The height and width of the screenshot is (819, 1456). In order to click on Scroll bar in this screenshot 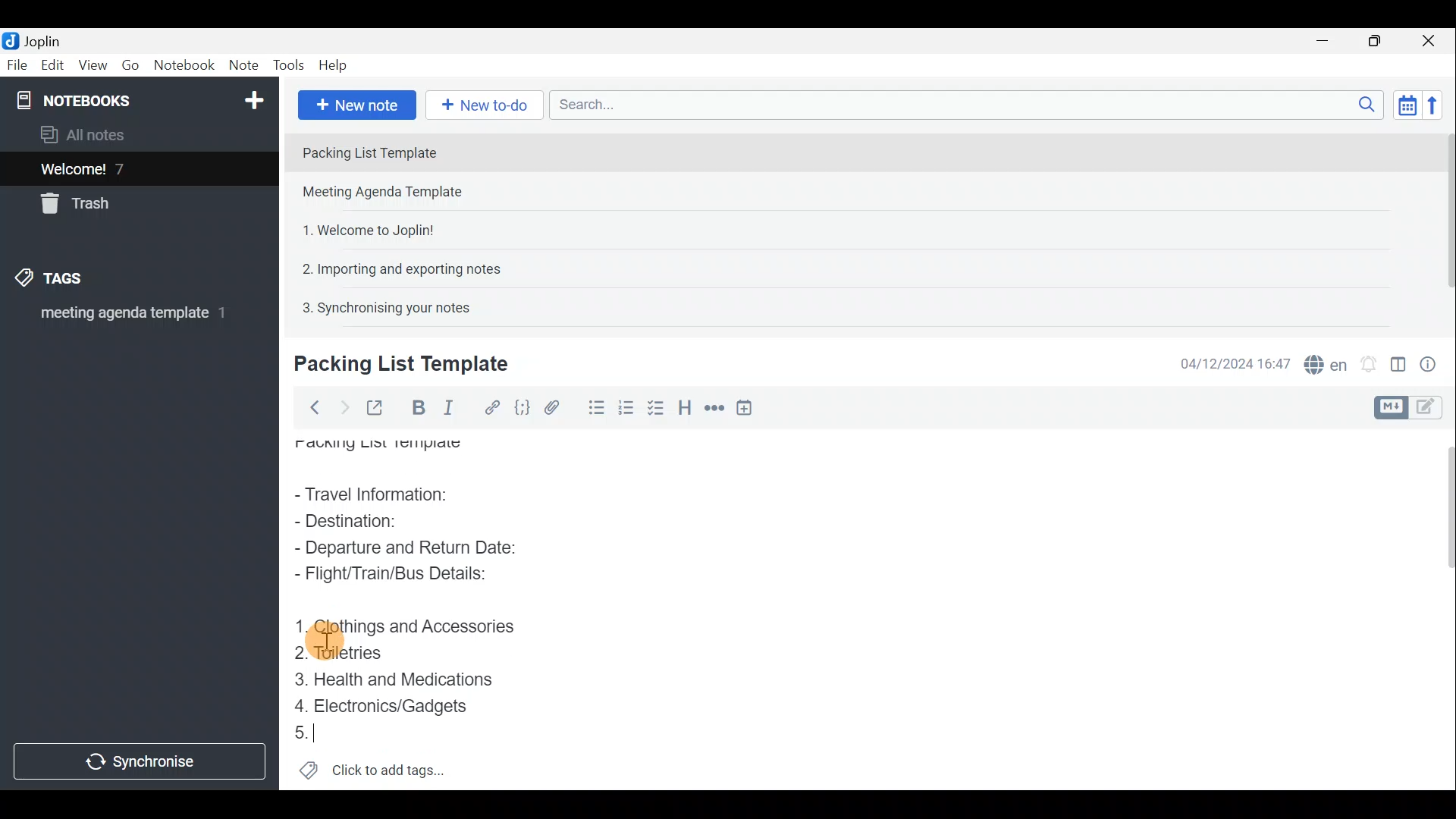, I will do `click(1442, 221)`.